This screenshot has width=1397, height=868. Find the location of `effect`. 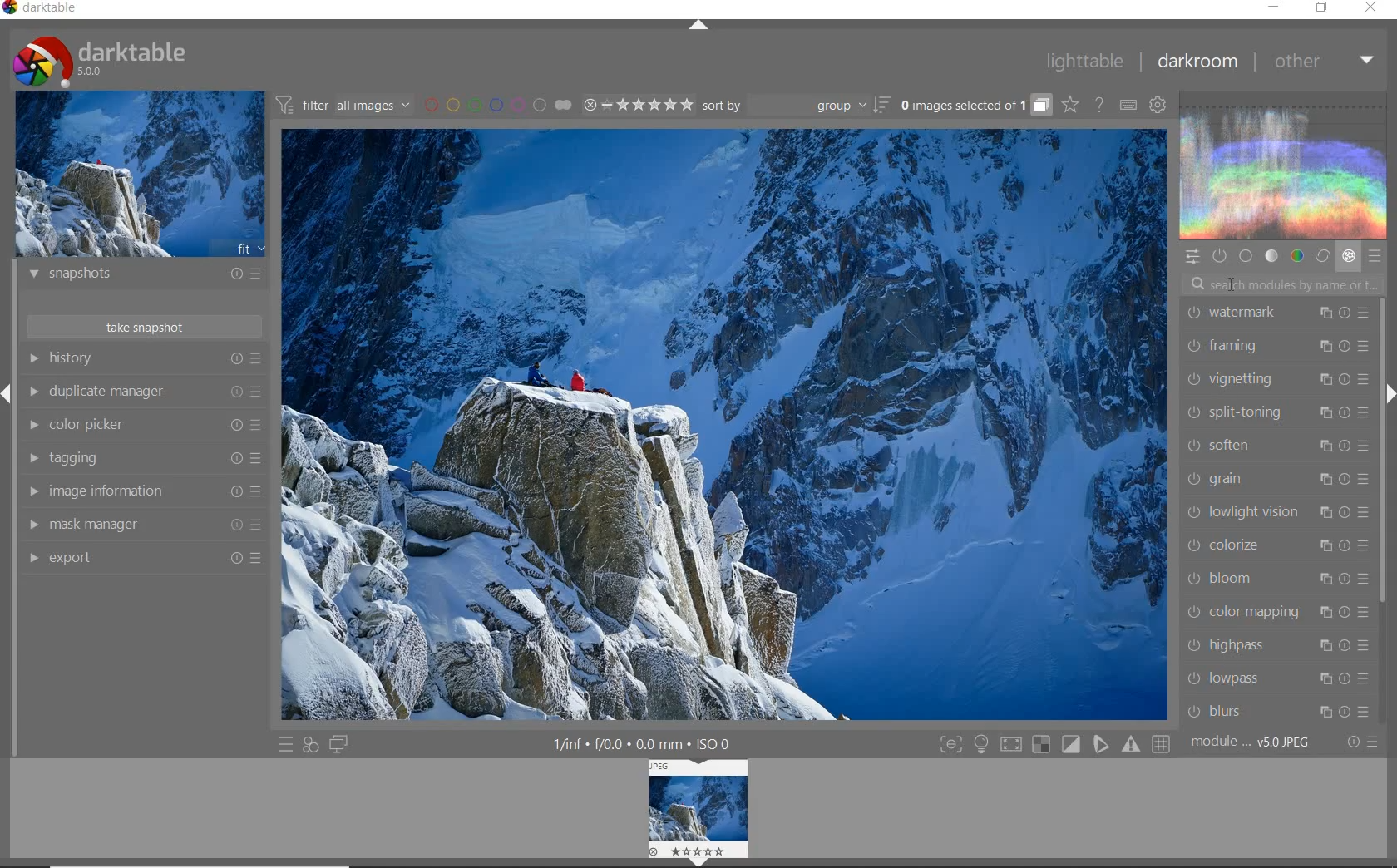

effect is located at coordinates (1348, 256).